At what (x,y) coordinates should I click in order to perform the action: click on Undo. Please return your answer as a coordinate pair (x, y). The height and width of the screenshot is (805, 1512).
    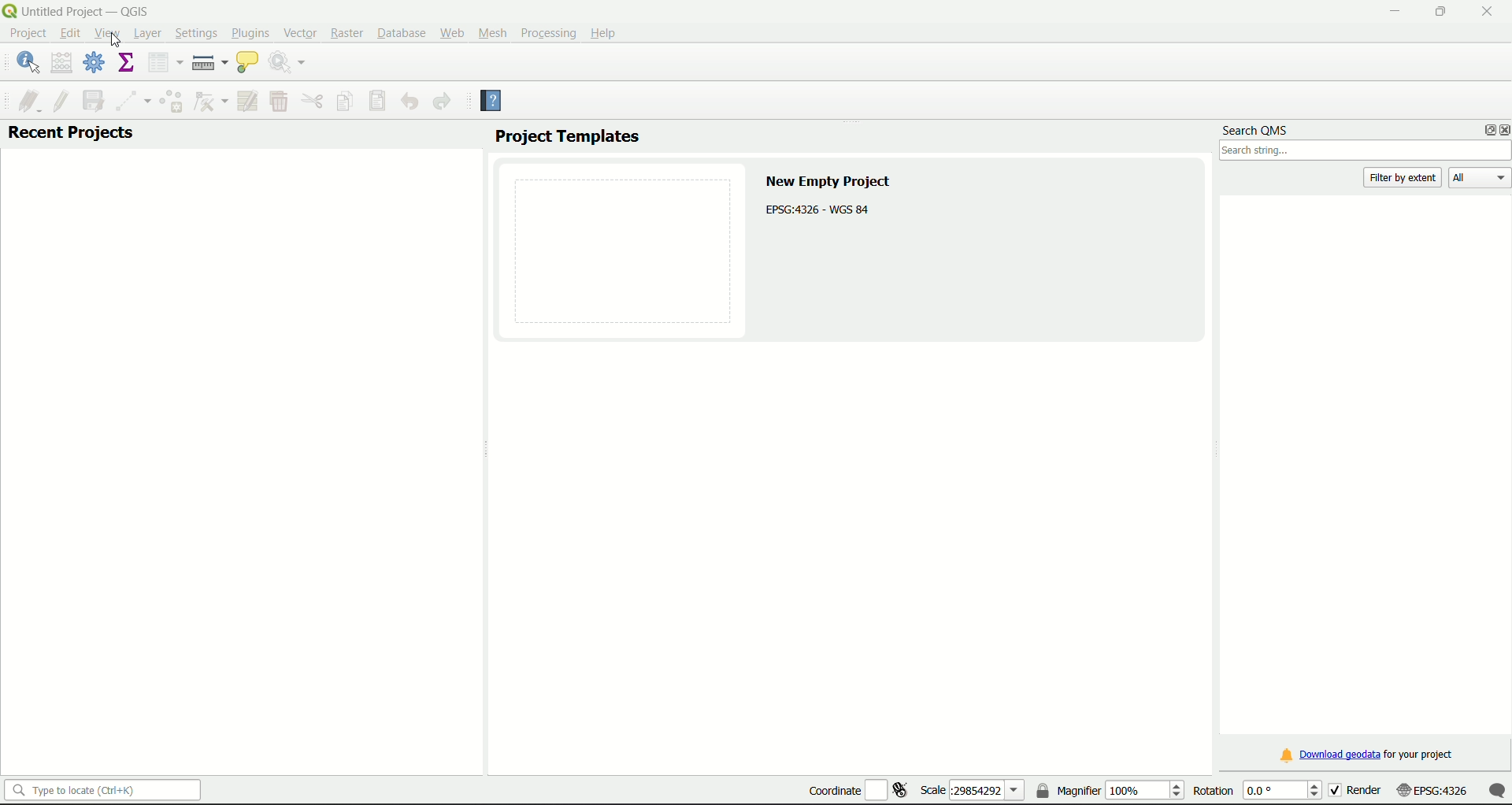
    Looking at the image, I should click on (409, 101).